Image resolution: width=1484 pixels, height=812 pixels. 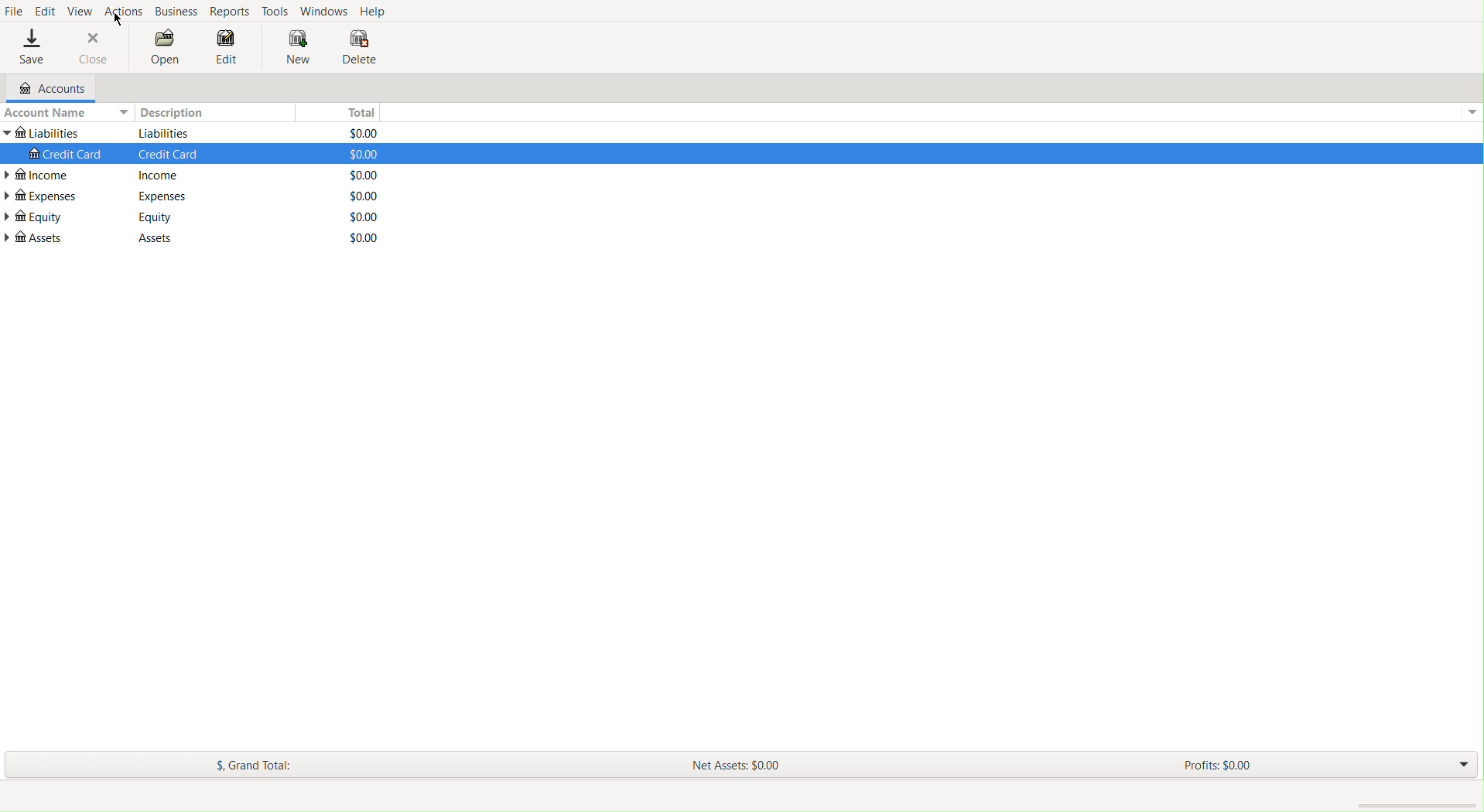 I want to click on Assets, so click(x=34, y=242).